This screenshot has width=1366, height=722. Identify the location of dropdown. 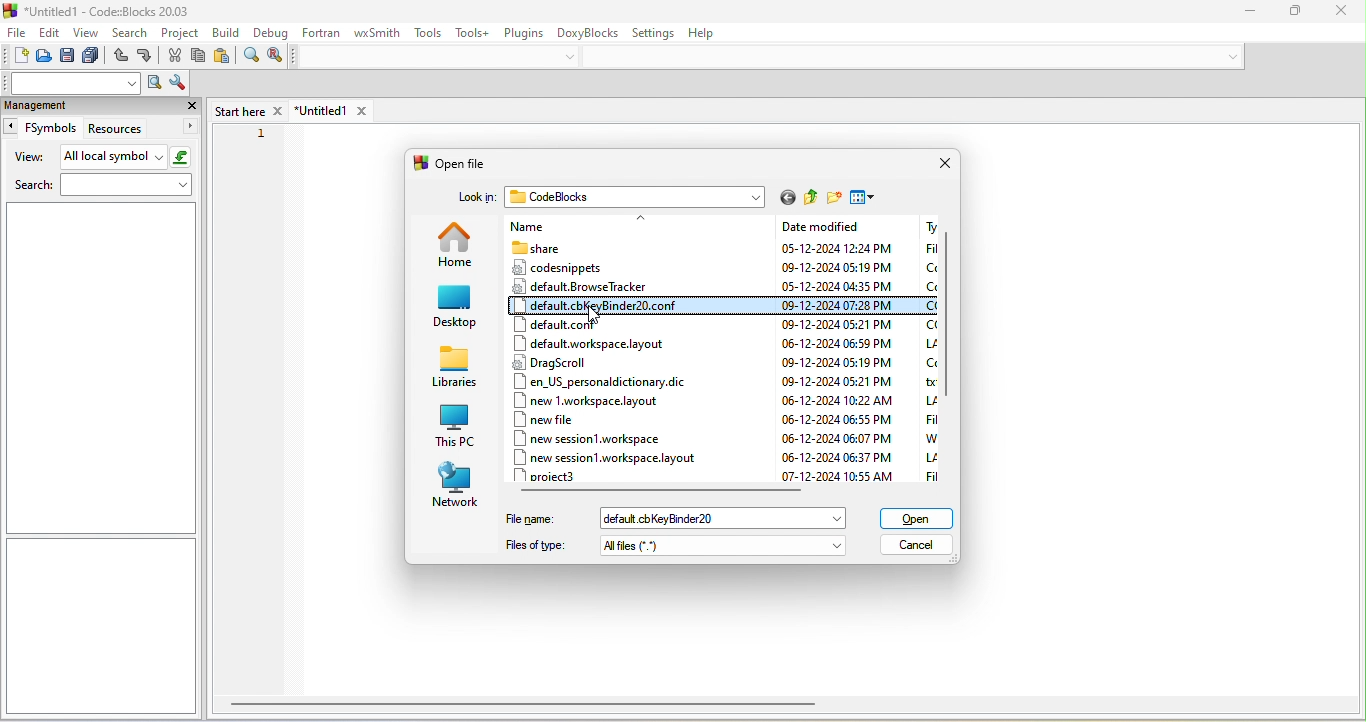
(838, 517).